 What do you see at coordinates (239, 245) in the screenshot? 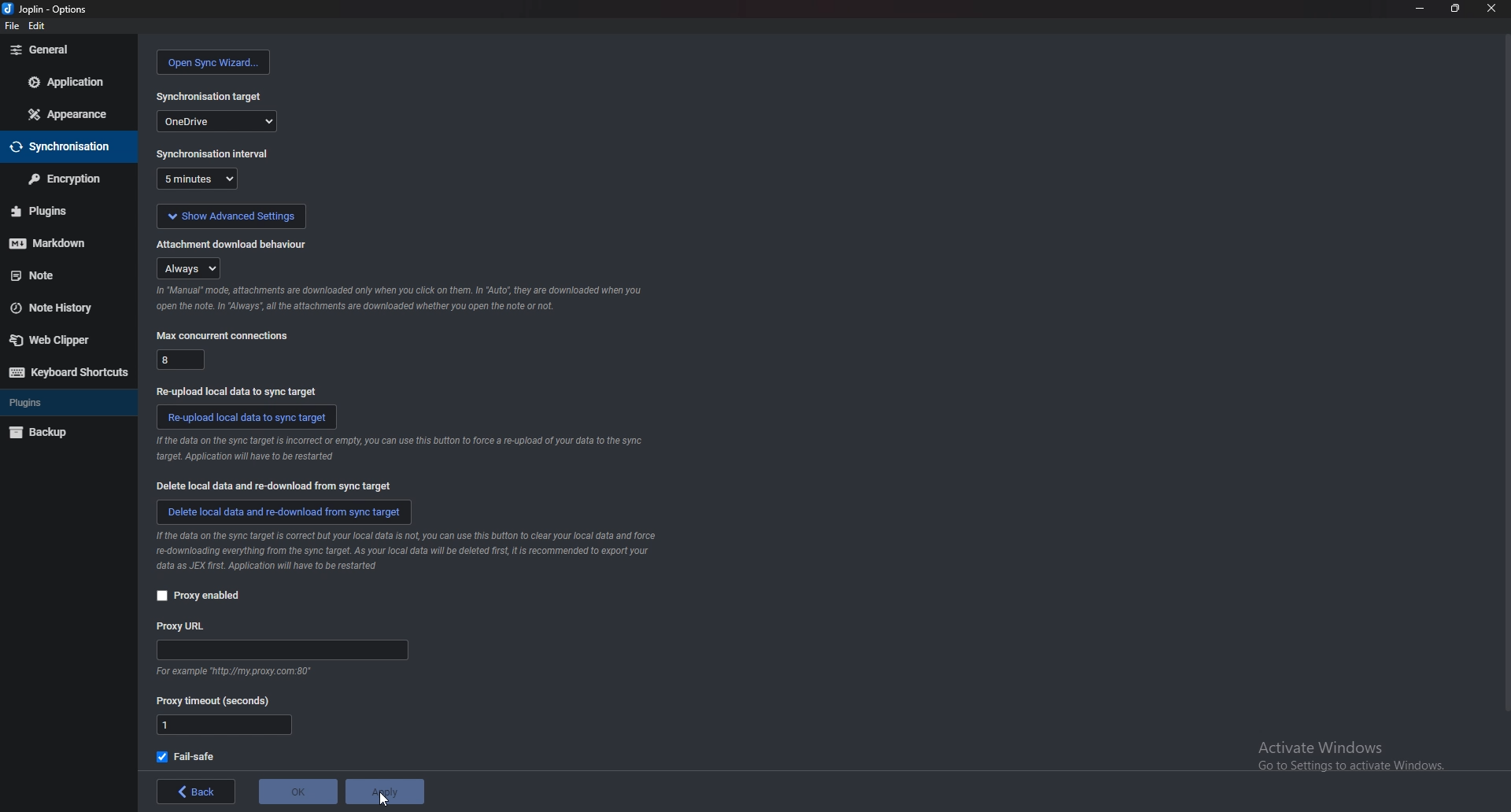
I see `attachment download behaviour` at bounding box center [239, 245].